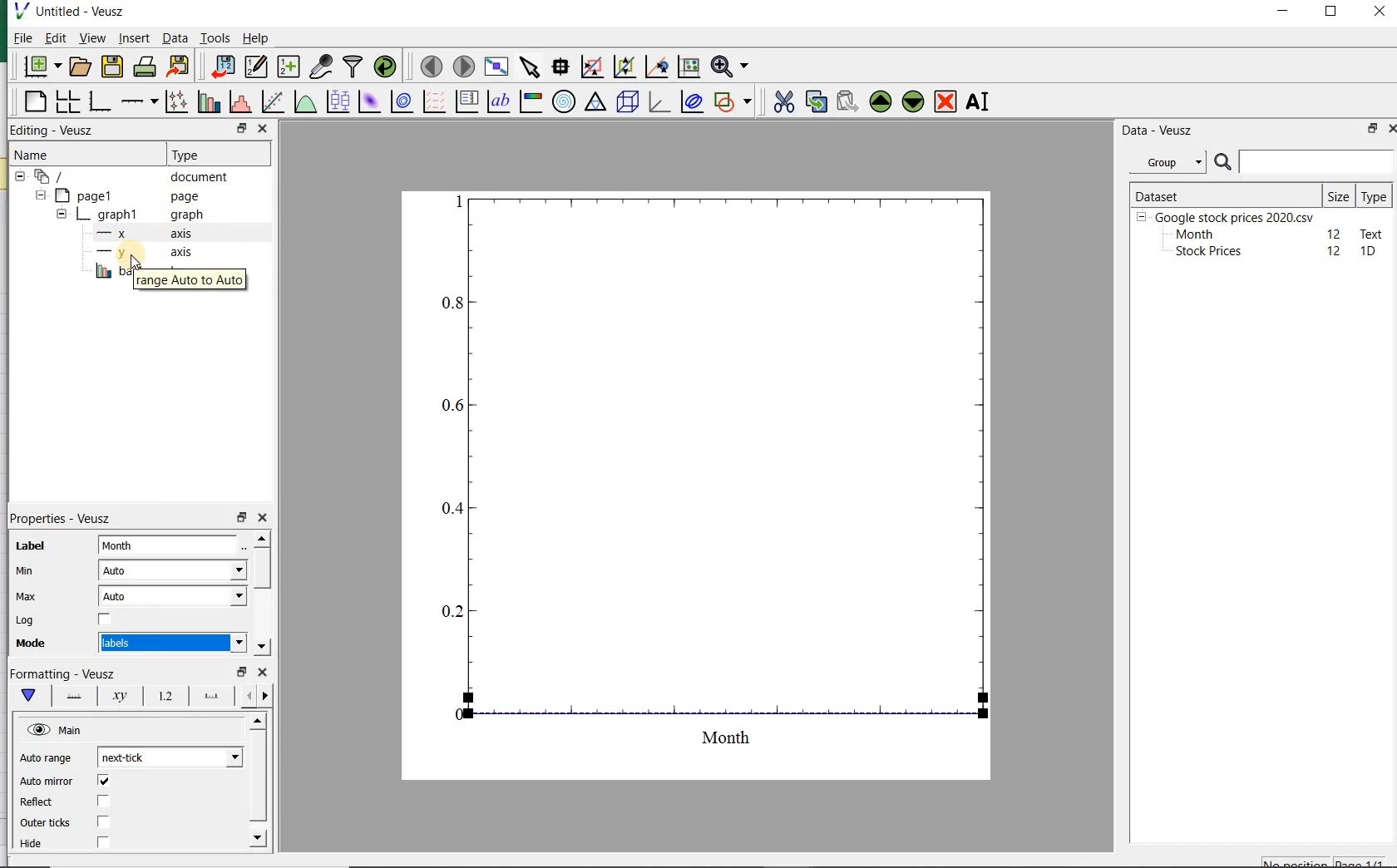 Image resolution: width=1397 pixels, height=868 pixels. I want to click on histogram of a dataset, so click(239, 104).